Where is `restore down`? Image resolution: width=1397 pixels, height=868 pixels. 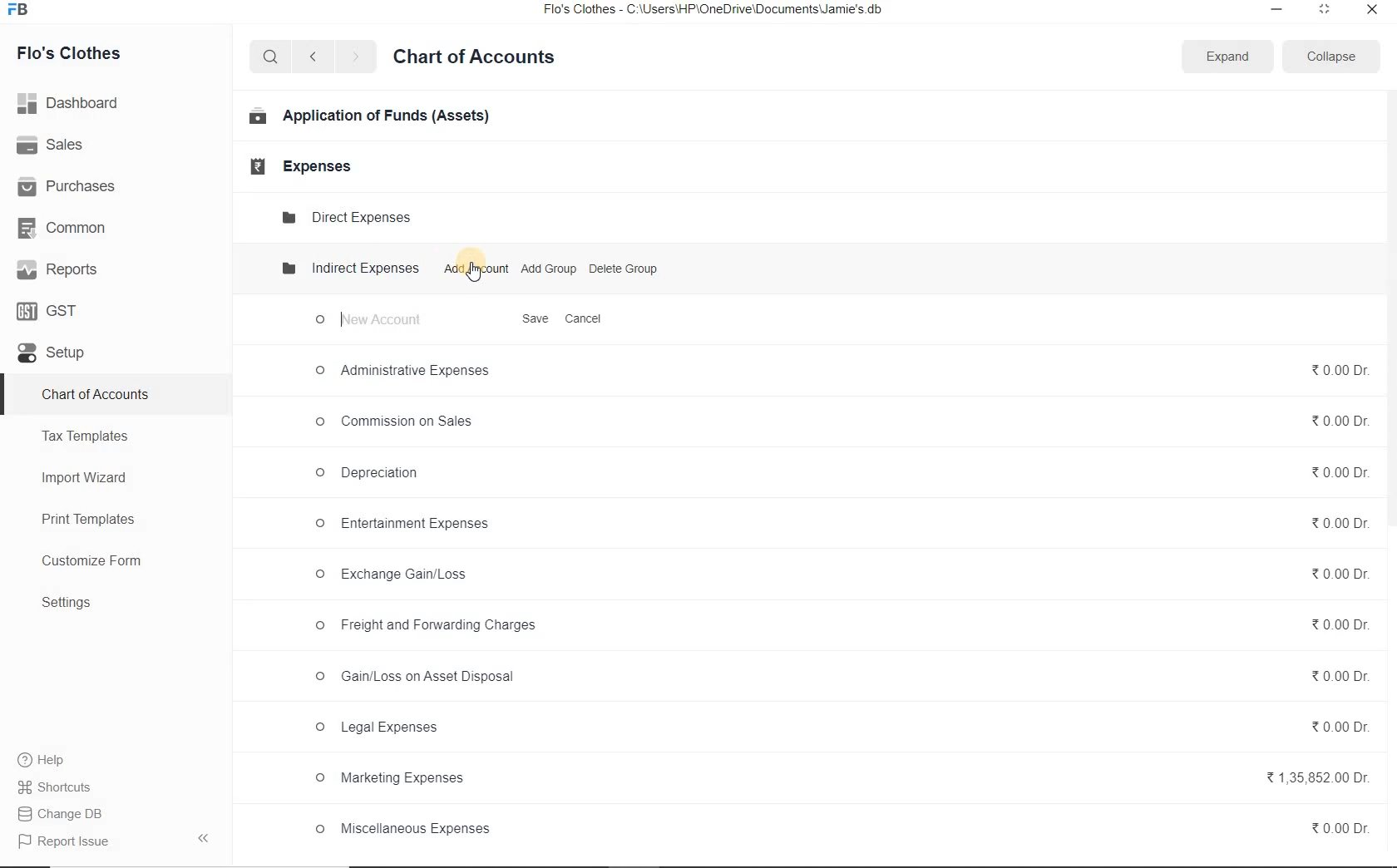
restore down is located at coordinates (1323, 12).